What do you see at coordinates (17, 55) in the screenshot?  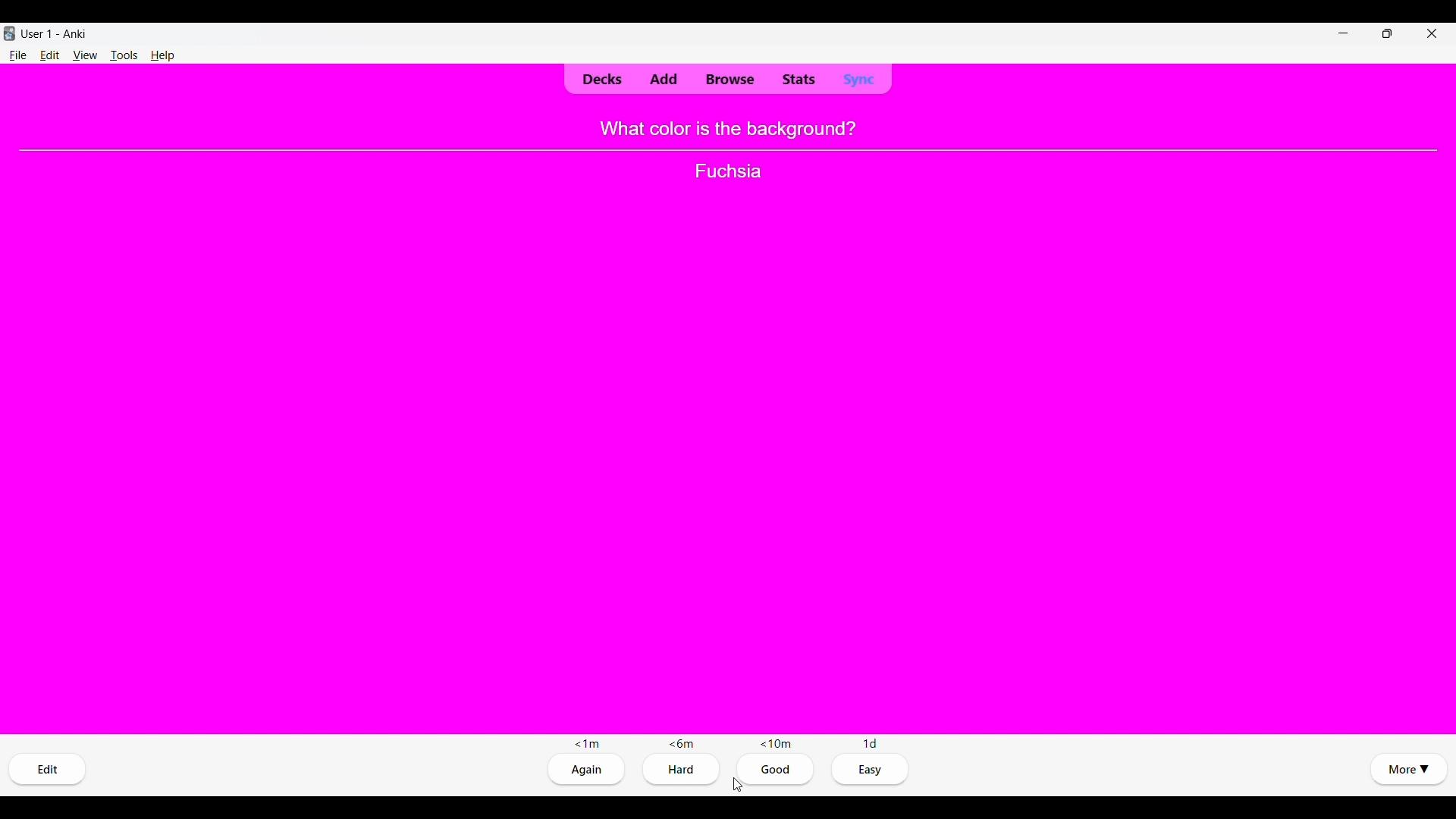 I see `File menu` at bounding box center [17, 55].